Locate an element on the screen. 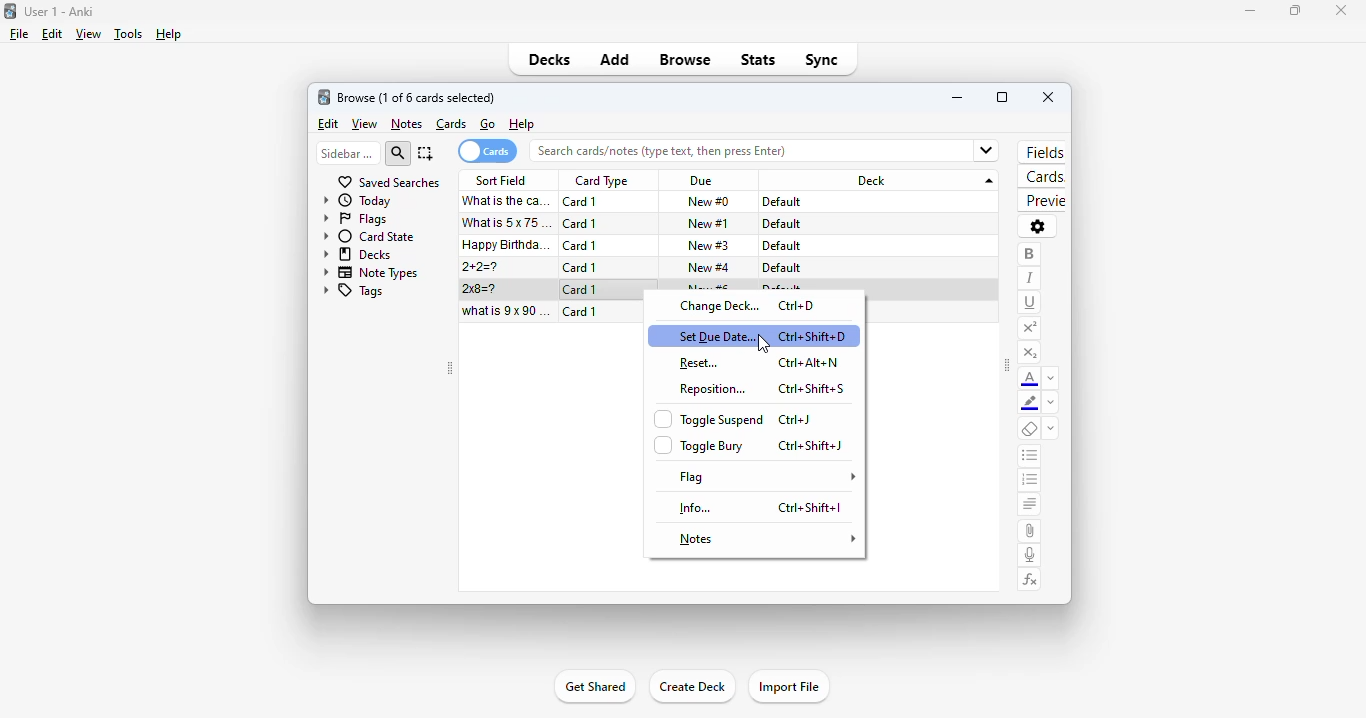 This screenshot has height=718, width=1366. decks is located at coordinates (358, 254).